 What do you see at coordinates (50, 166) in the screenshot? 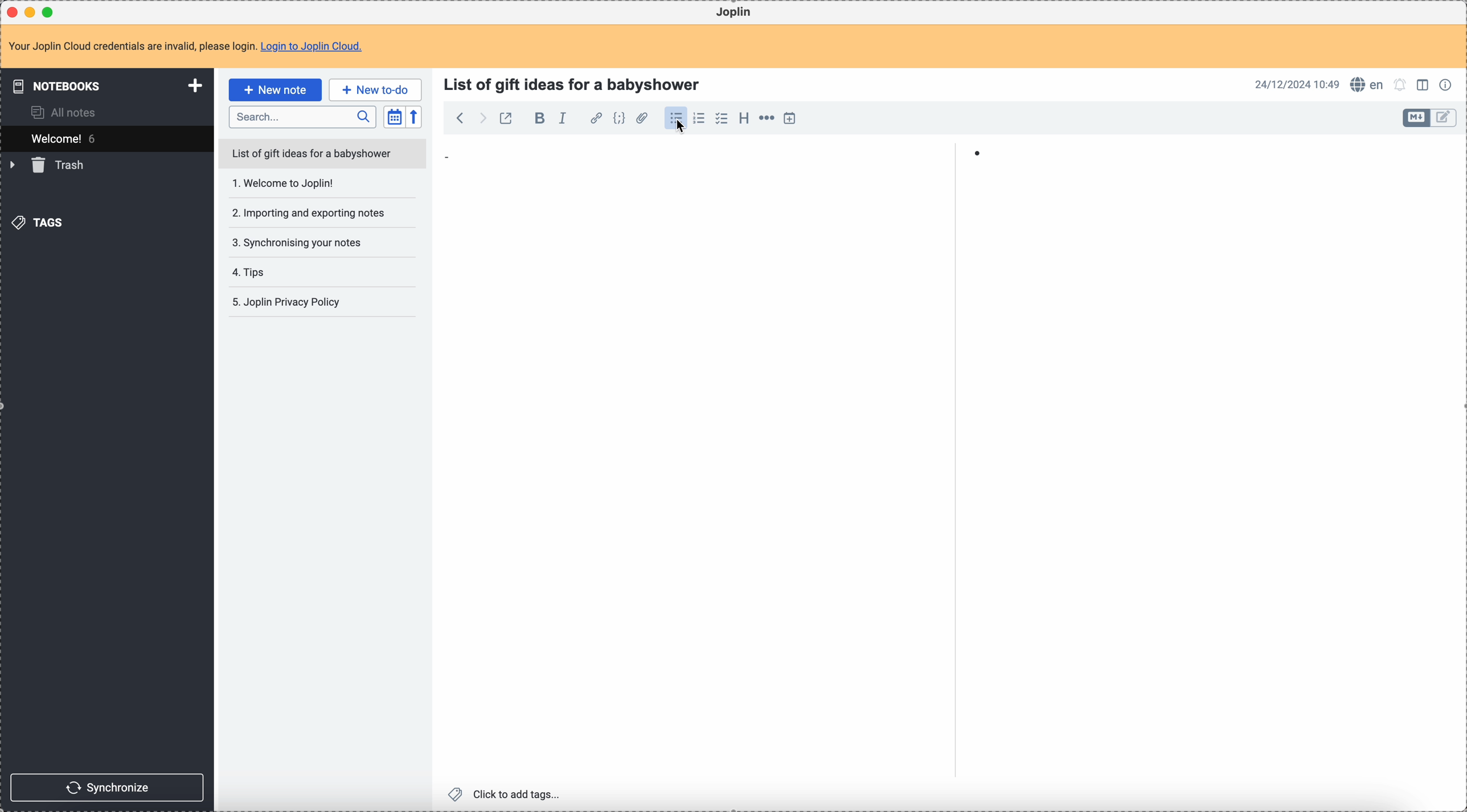
I see `trash` at bounding box center [50, 166].